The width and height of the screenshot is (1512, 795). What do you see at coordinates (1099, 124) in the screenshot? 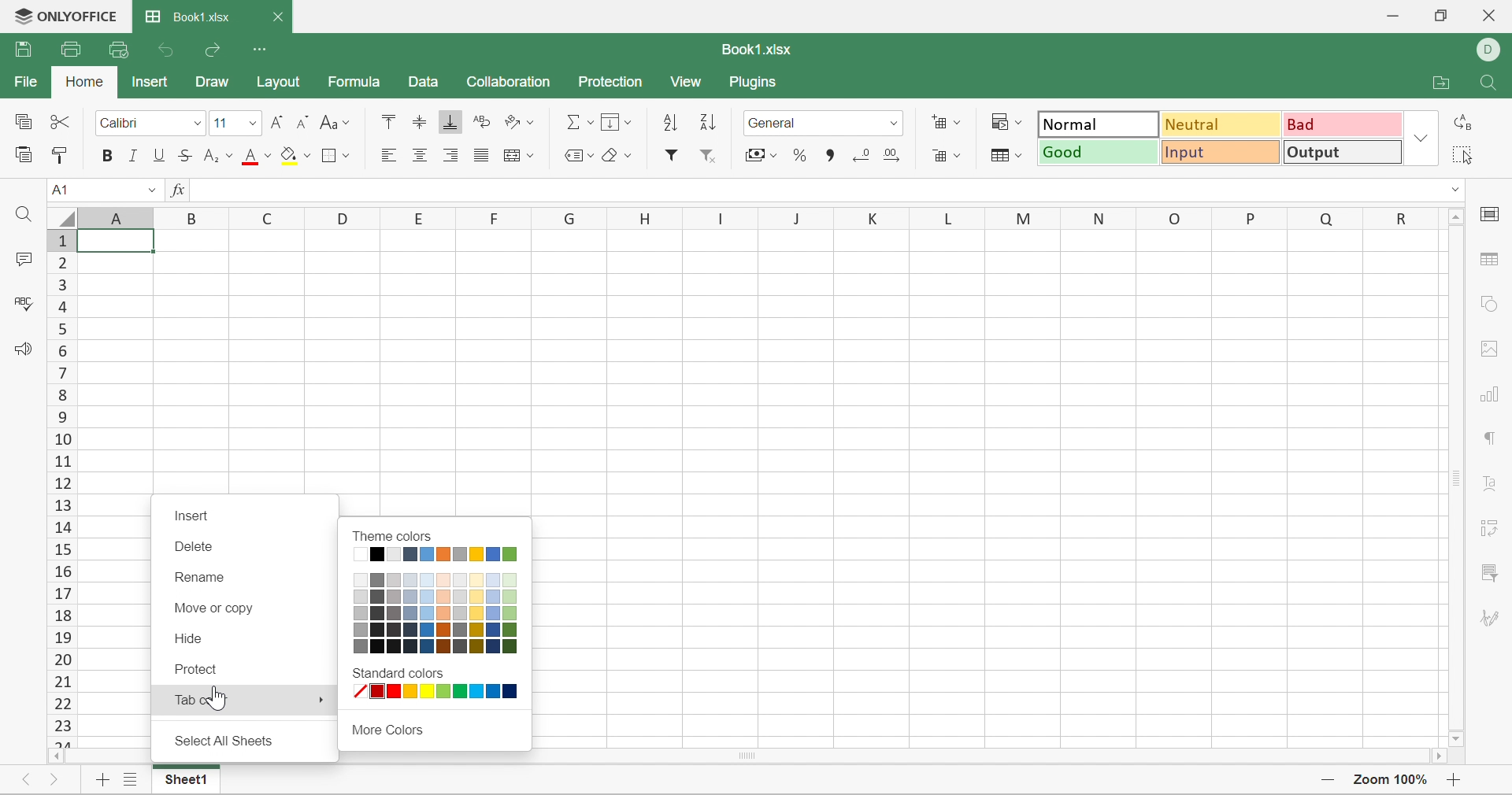
I see `Normal` at bounding box center [1099, 124].